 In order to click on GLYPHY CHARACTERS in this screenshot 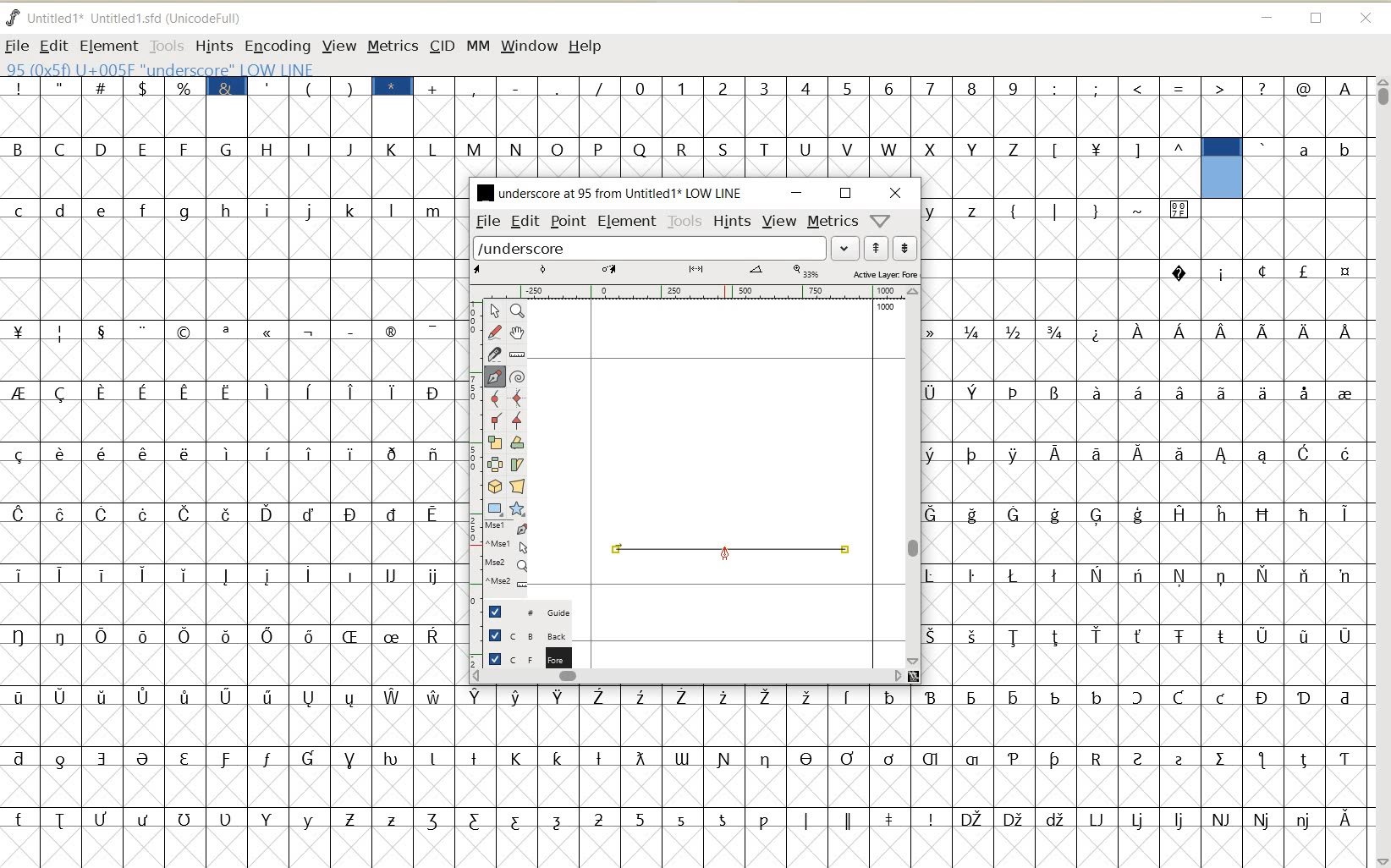, I will do `click(1059, 491)`.